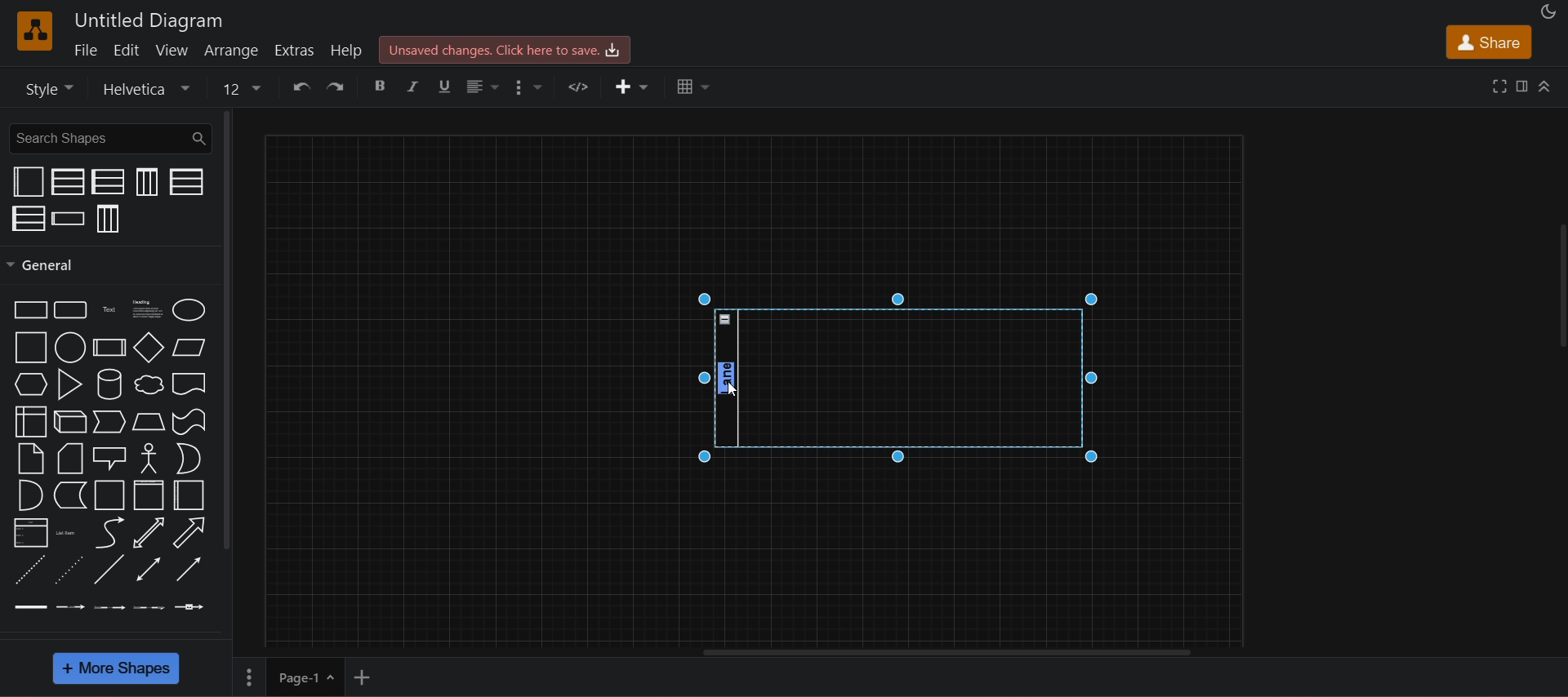  I want to click on horizontal container, so click(189, 495).